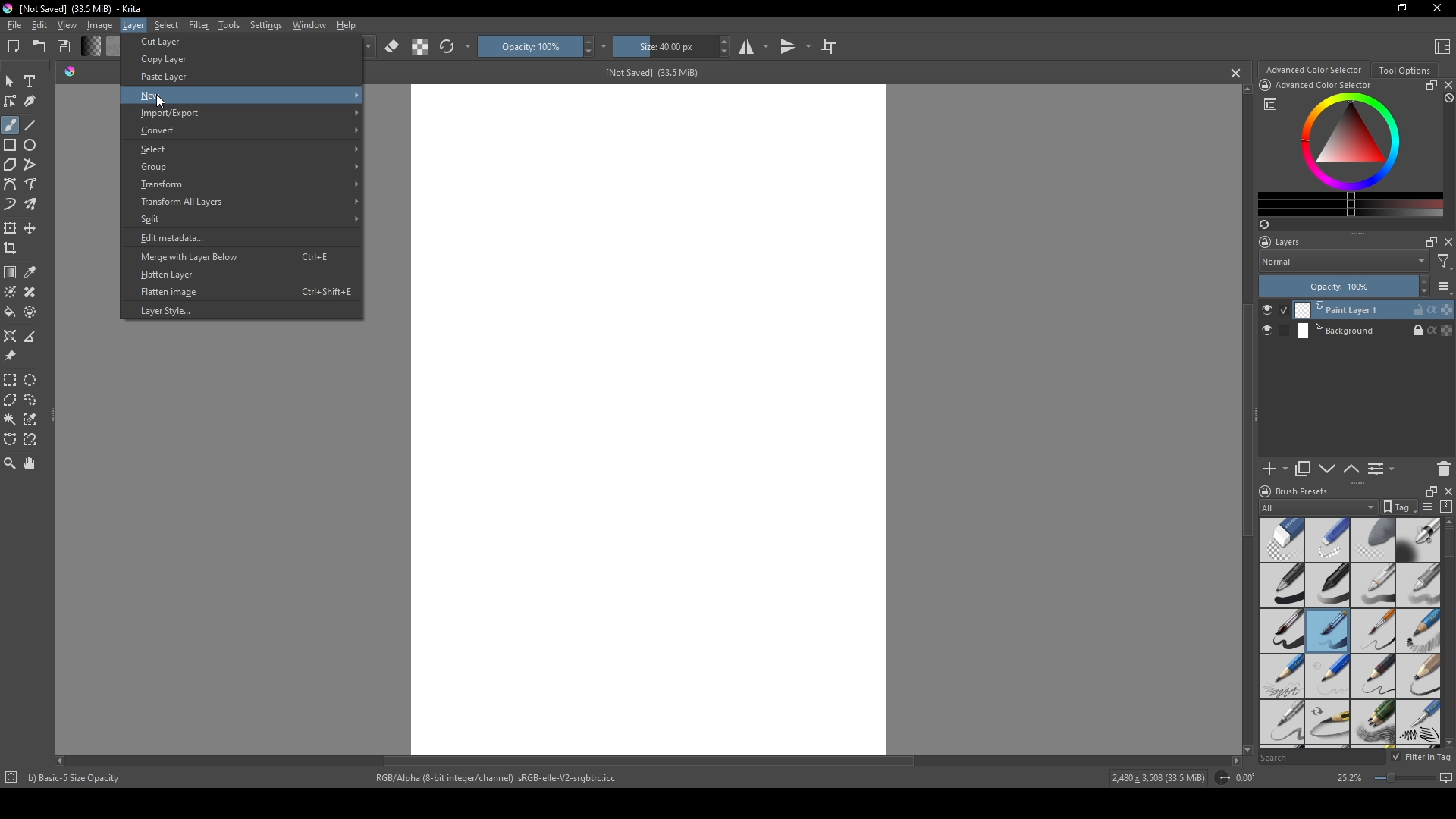 Image resolution: width=1456 pixels, height=819 pixels. What do you see at coordinates (795, 47) in the screenshot?
I see `transitions` at bounding box center [795, 47].